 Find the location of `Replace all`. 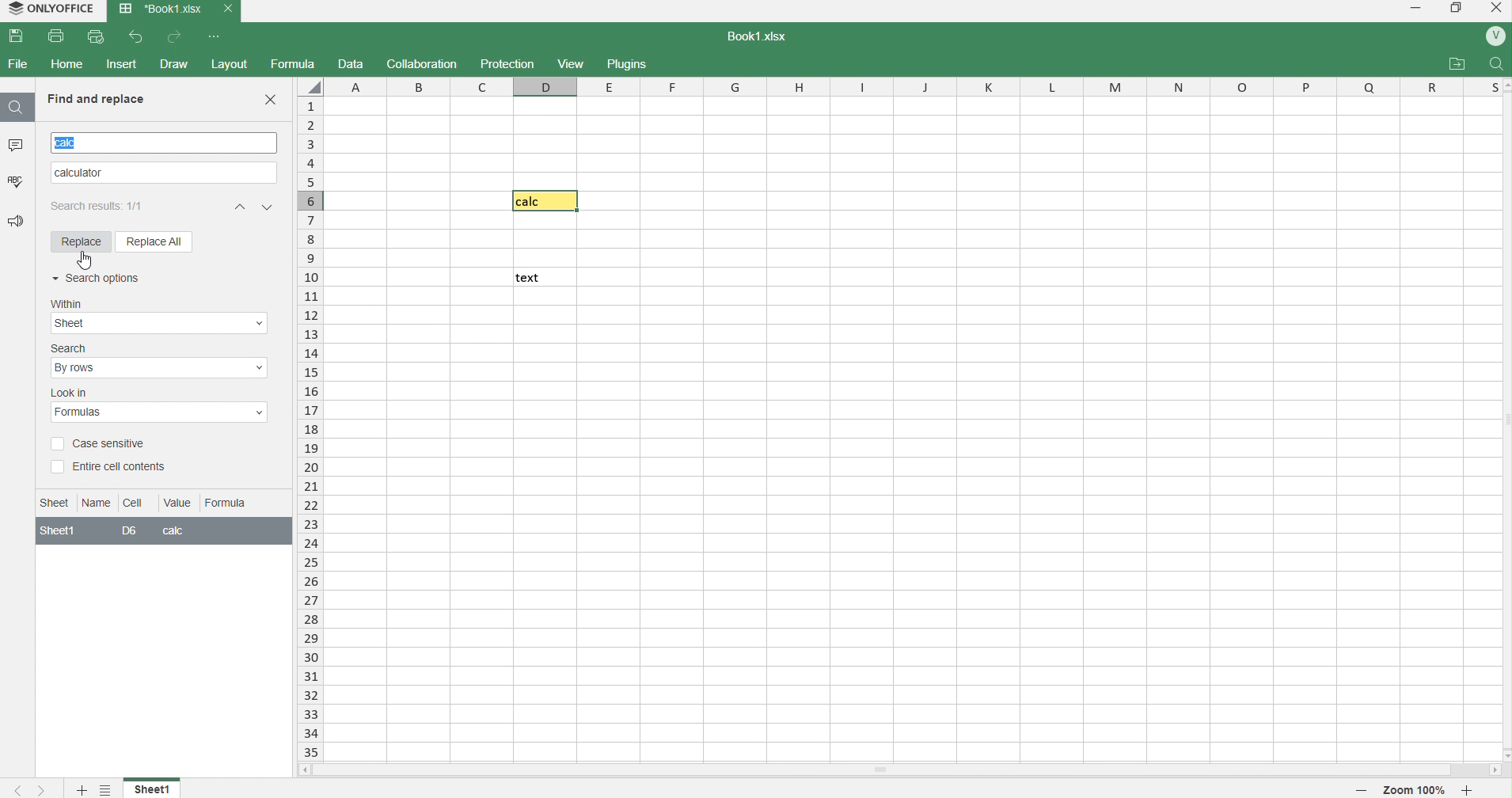

Replace all is located at coordinates (153, 242).